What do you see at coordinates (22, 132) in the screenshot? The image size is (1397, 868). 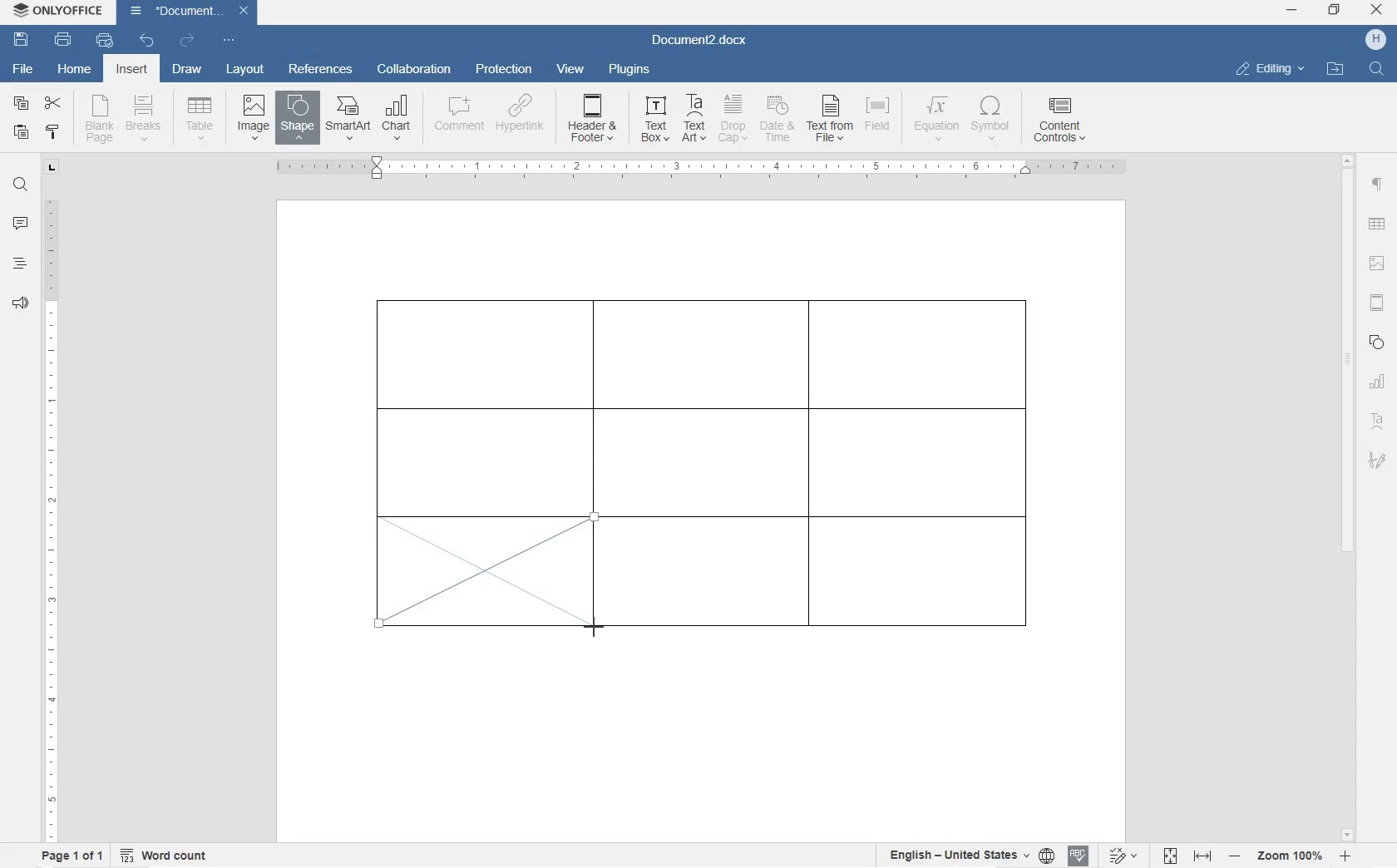 I see `paste` at bounding box center [22, 132].